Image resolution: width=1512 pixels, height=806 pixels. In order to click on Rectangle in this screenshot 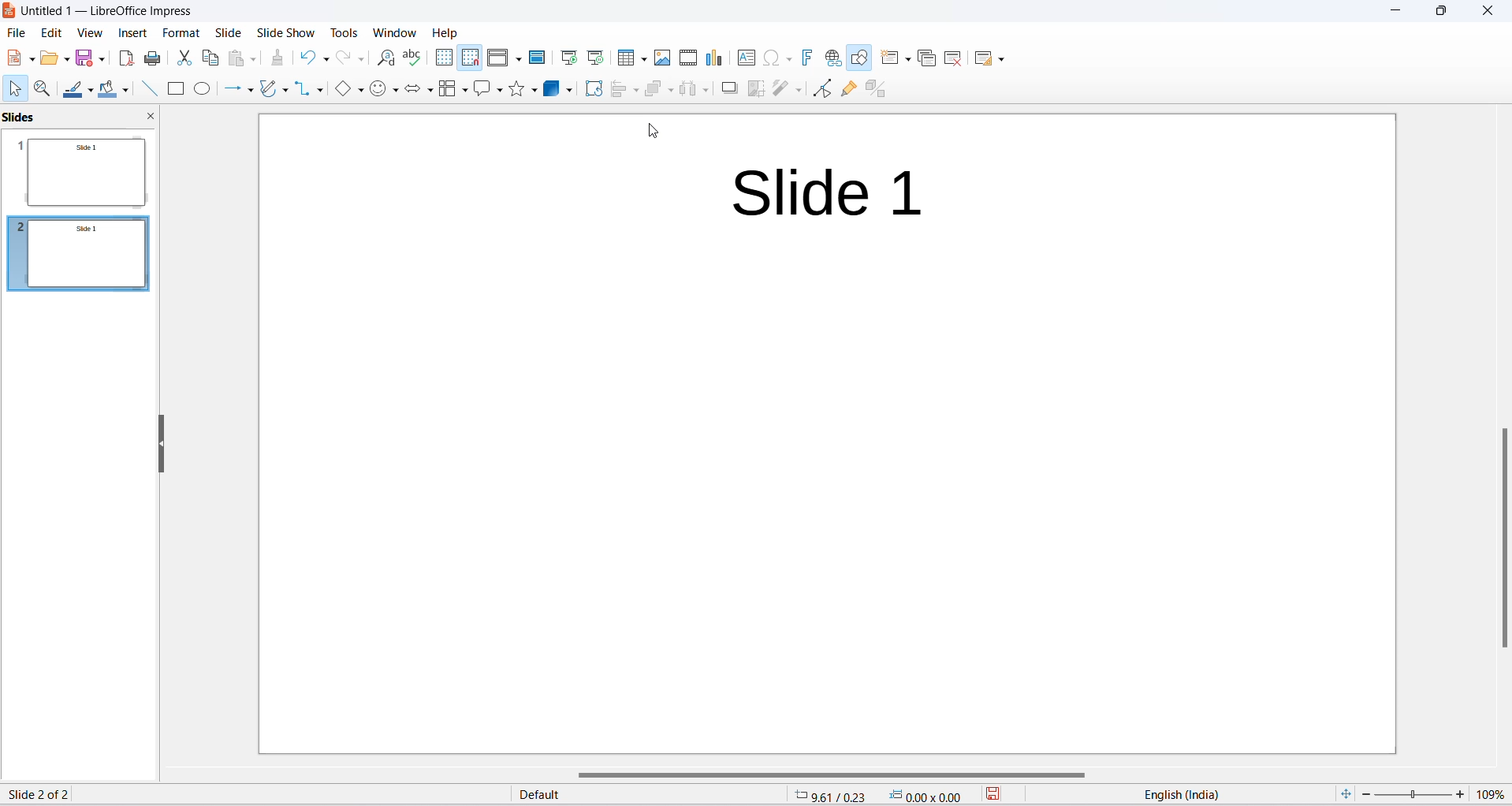, I will do `click(174, 91)`.